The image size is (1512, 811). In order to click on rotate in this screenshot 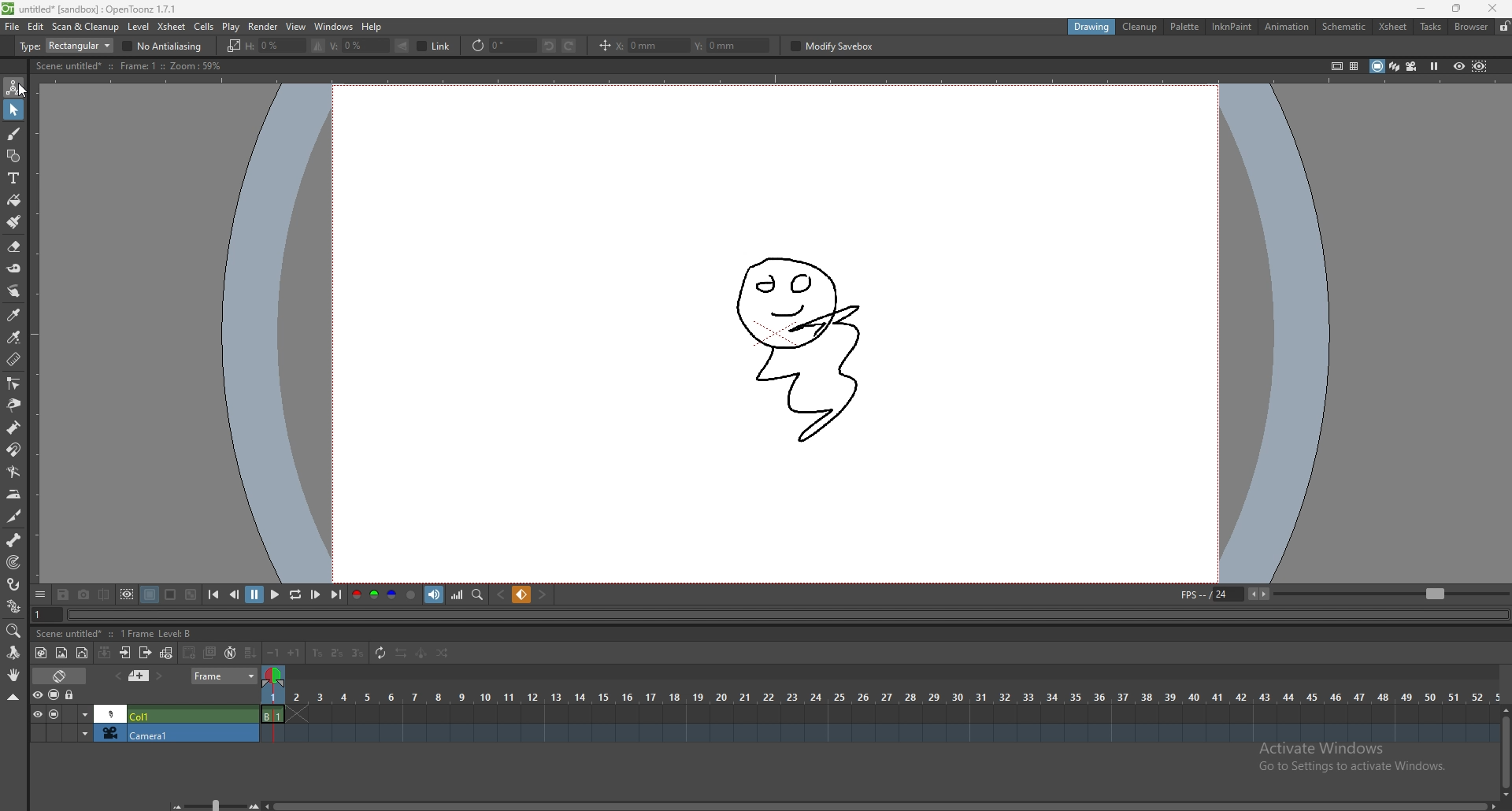, I will do `click(502, 44)`.